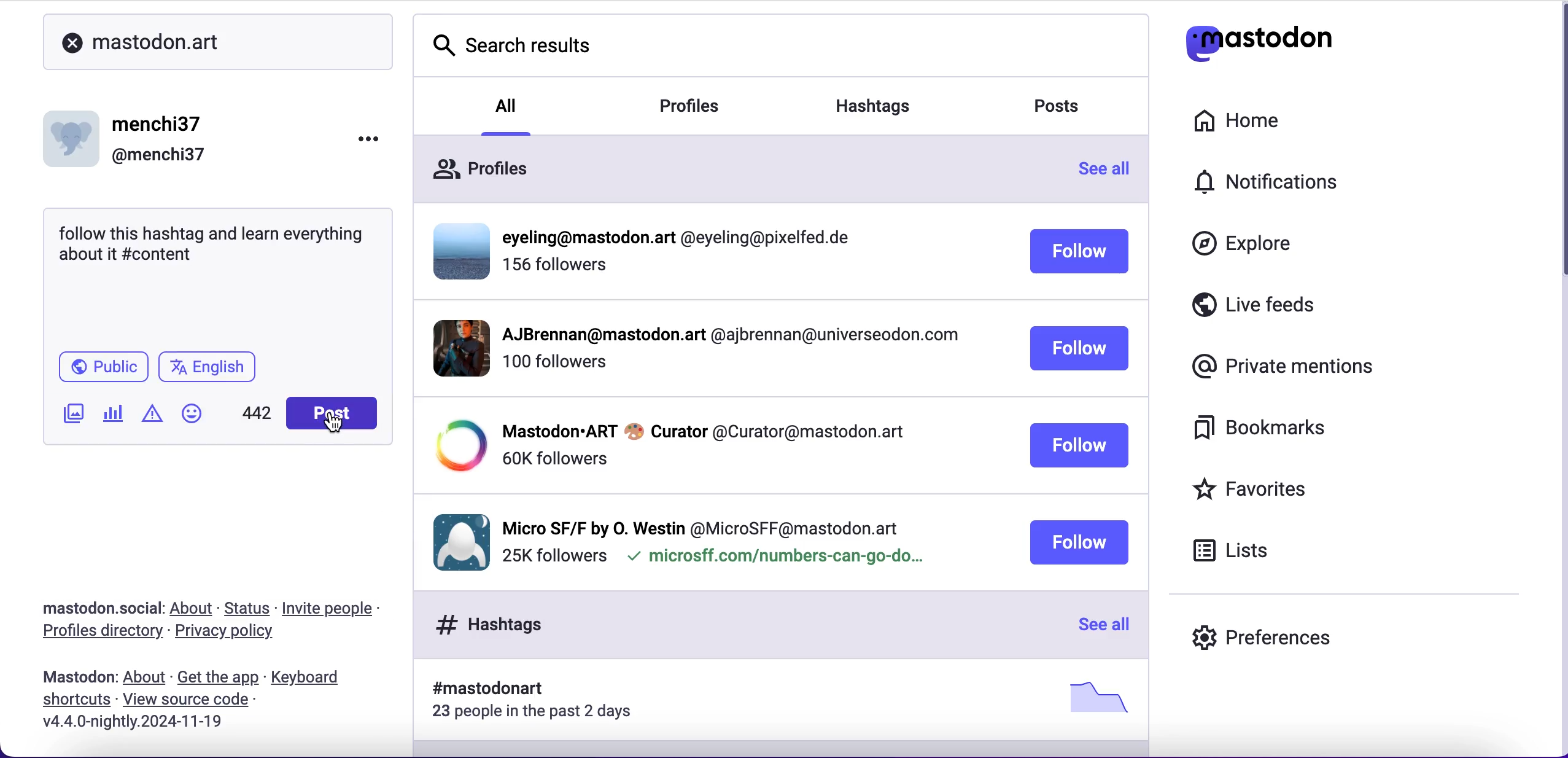 This screenshot has height=758, width=1568. Describe the element at coordinates (72, 678) in the screenshot. I see `mastodon` at that location.